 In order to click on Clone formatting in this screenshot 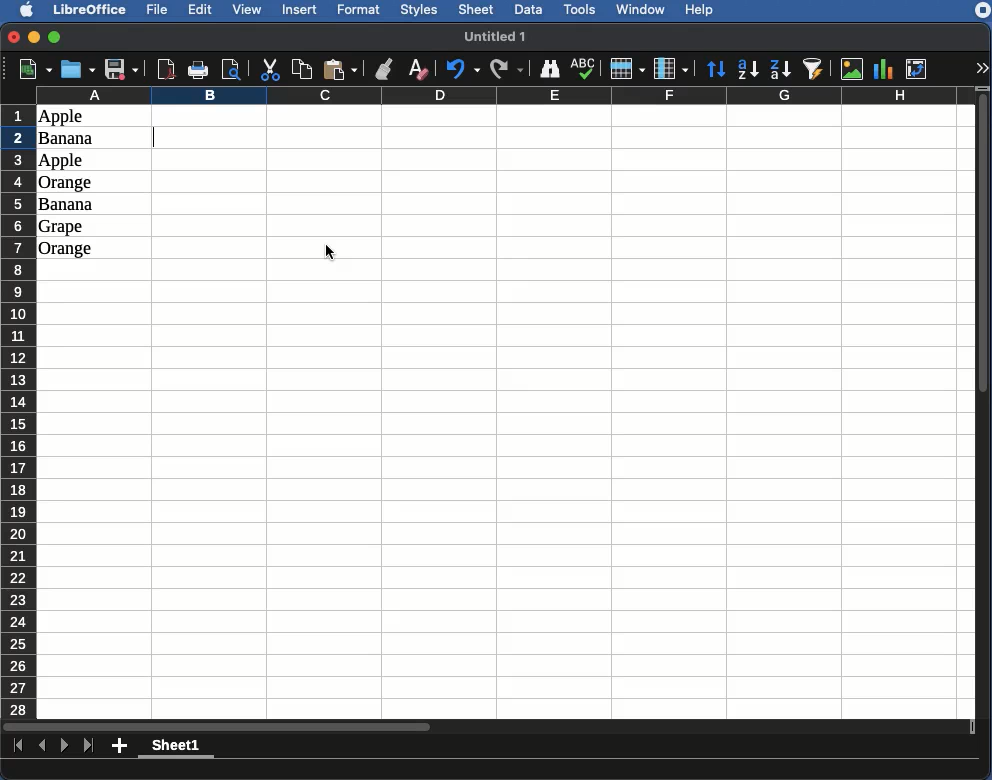, I will do `click(384, 69)`.